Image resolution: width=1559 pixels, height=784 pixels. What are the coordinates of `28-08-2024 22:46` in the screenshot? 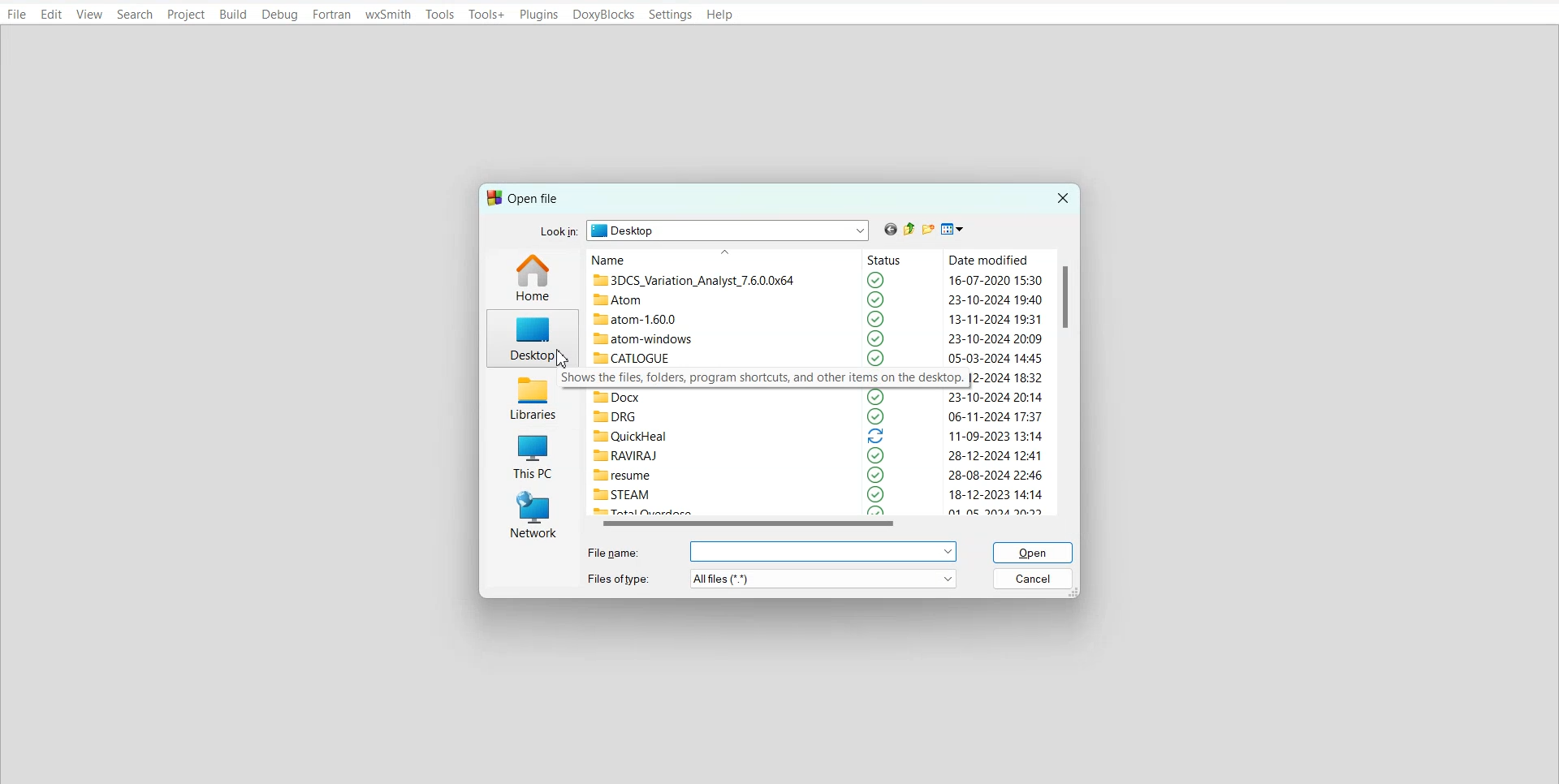 It's located at (994, 475).